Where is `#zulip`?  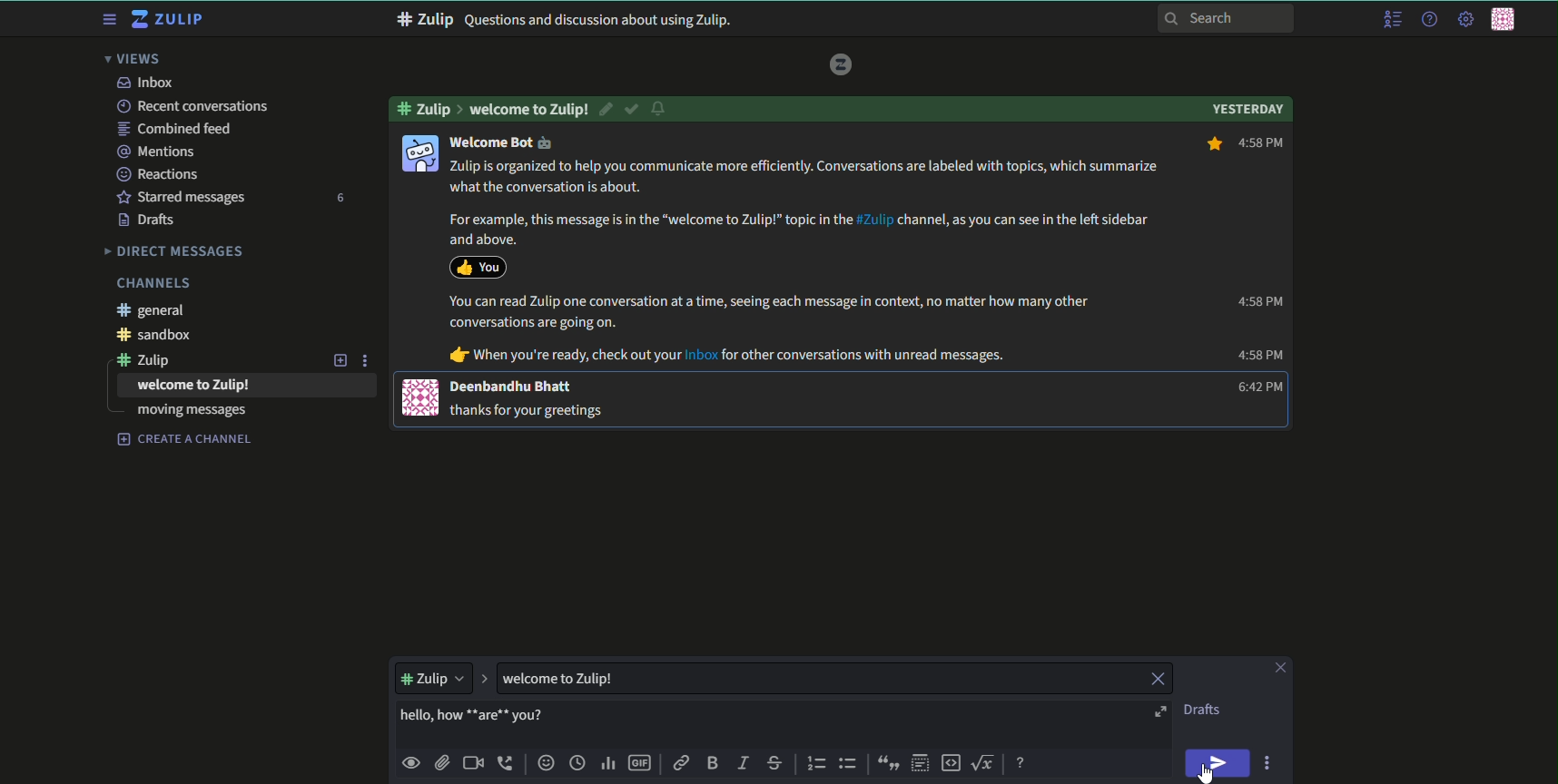 #zulip is located at coordinates (429, 109).